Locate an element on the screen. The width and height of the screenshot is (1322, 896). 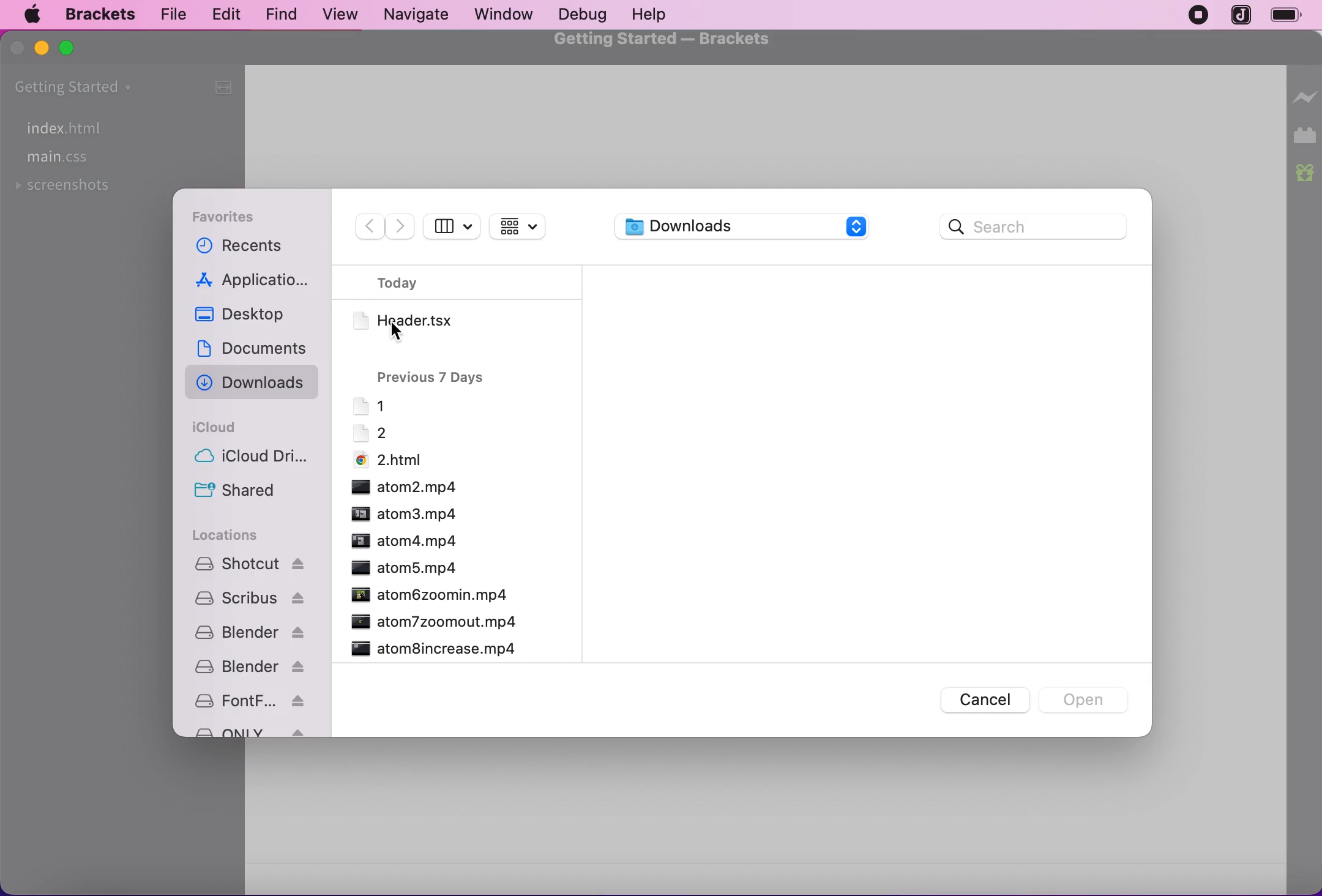
icloud drive is located at coordinates (260, 458).